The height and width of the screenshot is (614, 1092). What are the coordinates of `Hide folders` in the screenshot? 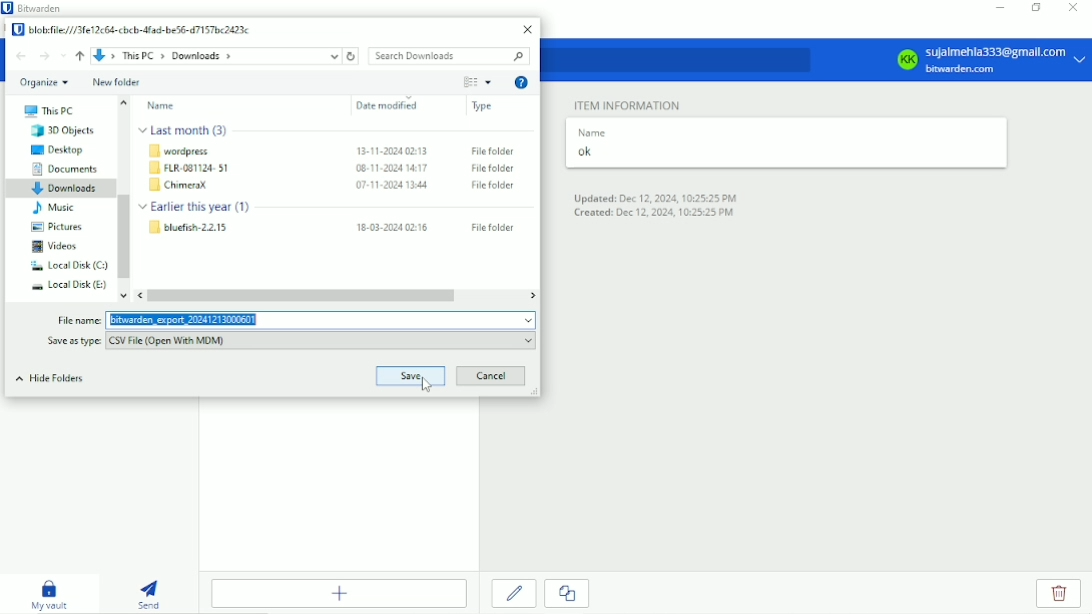 It's located at (51, 378).